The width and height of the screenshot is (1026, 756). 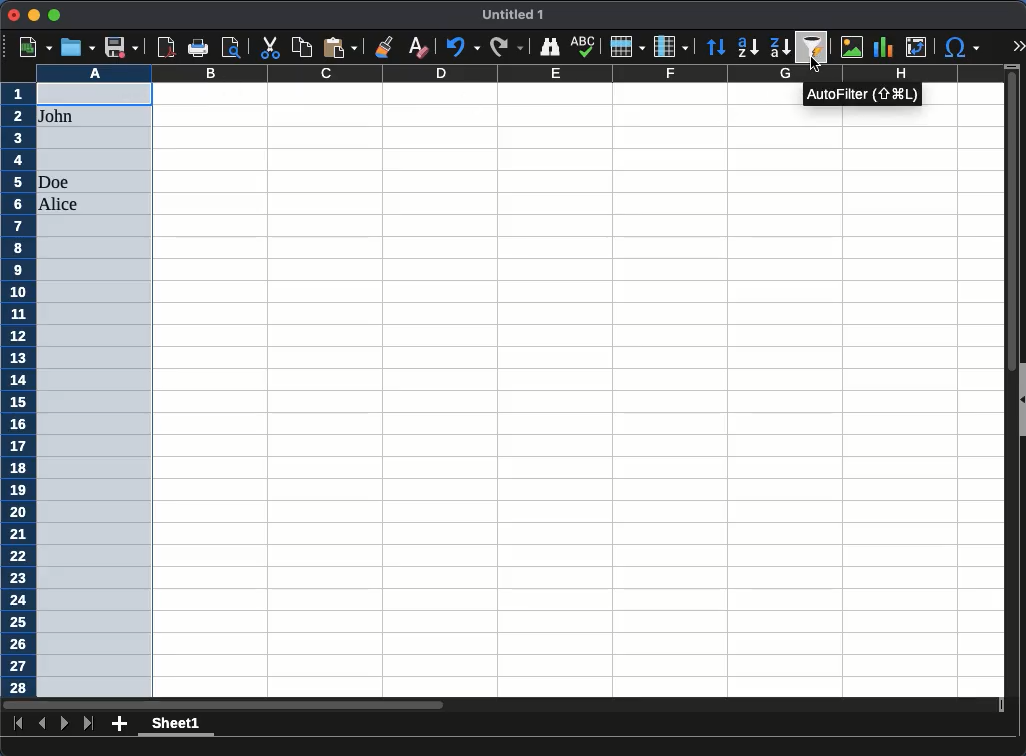 I want to click on row, so click(x=626, y=46).